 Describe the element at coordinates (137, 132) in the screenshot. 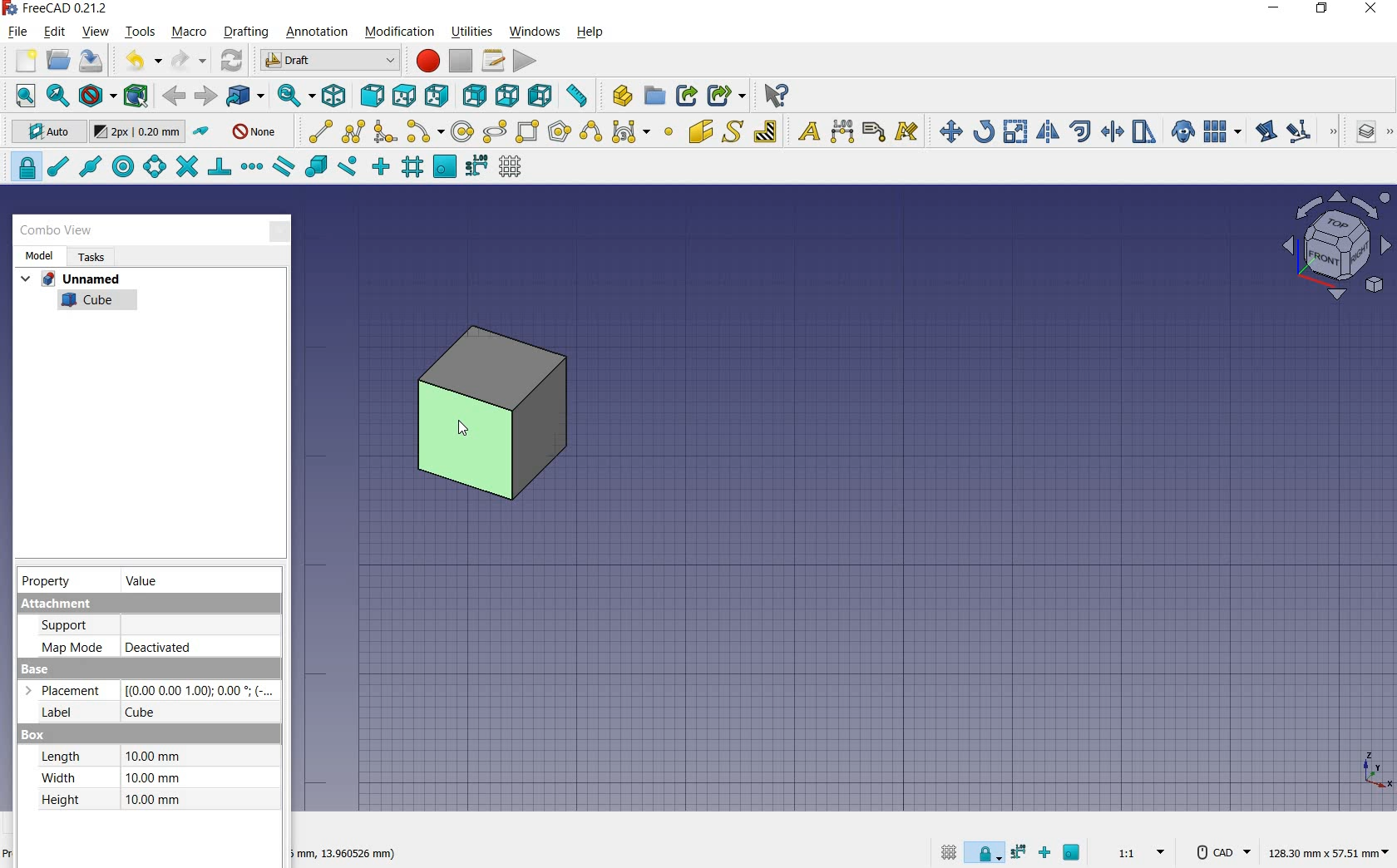

I see `change default size for new objects` at that location.